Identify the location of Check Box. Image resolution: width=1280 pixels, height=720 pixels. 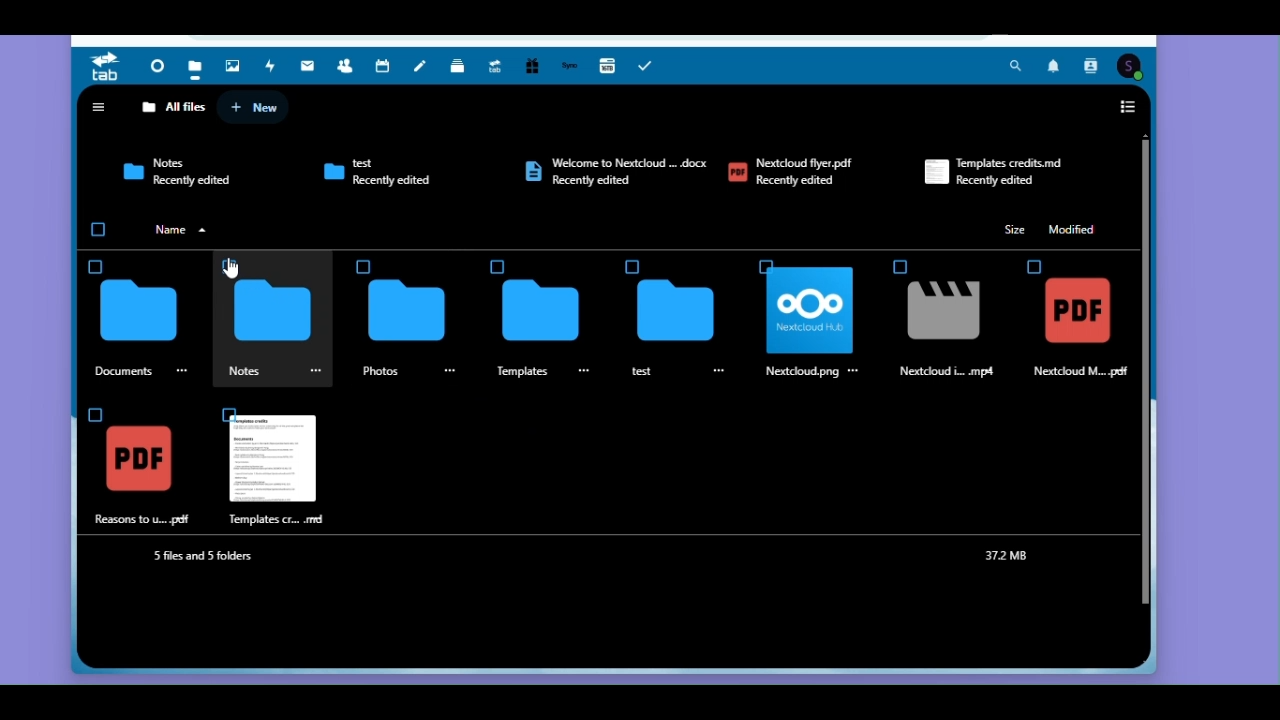
(765, 265).